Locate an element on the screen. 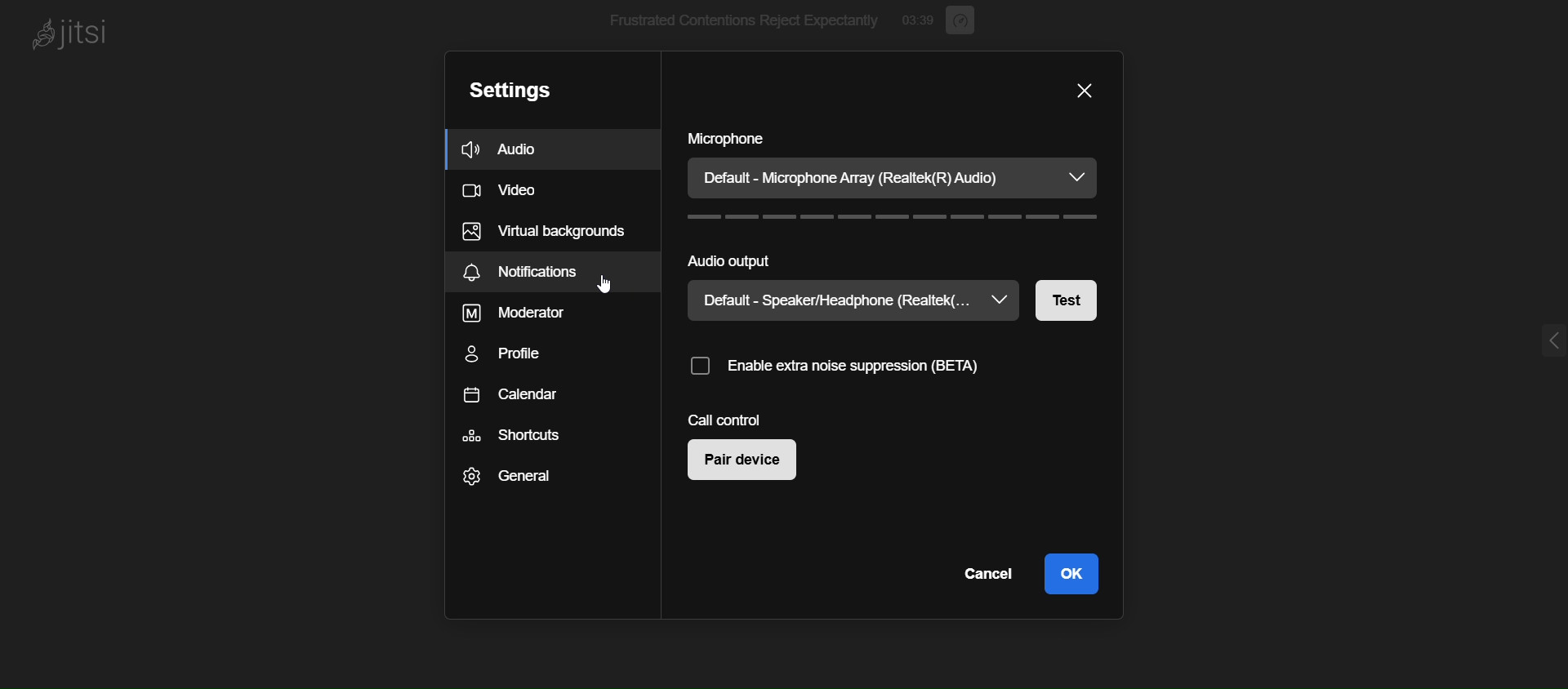 The height and width of the screenshot is (689, 1568). audio is located at coordinates (509, 149).